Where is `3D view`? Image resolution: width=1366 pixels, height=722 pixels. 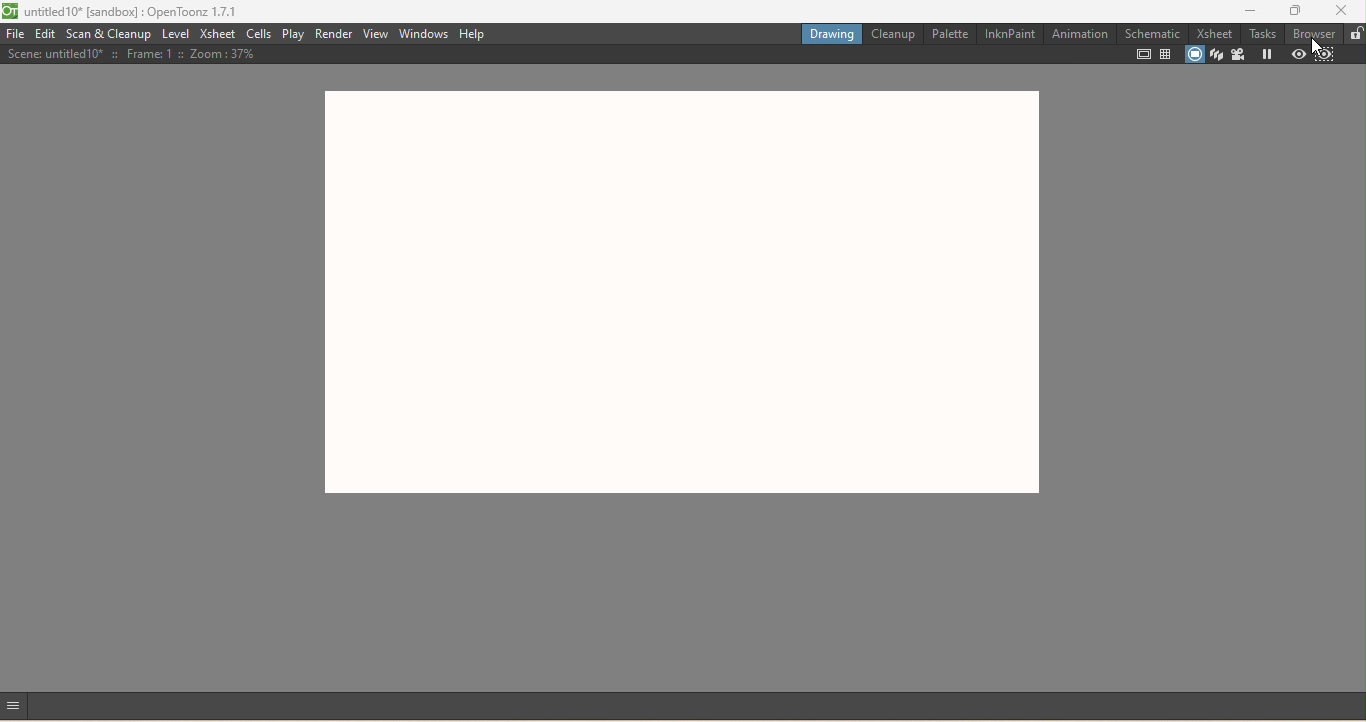 3D view is located at coordinates (1216, 53).